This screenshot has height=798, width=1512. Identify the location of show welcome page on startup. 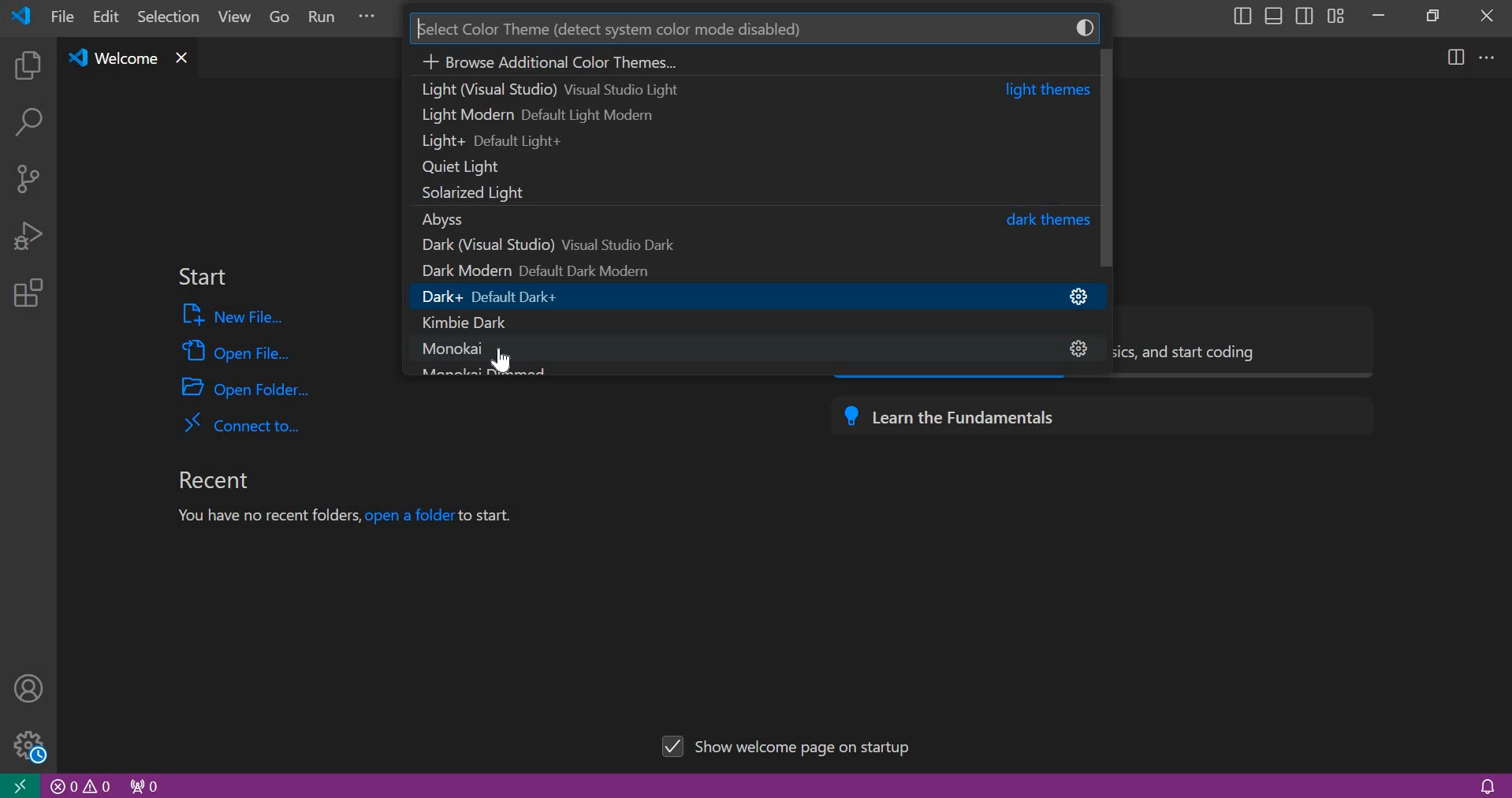
(791, 744).